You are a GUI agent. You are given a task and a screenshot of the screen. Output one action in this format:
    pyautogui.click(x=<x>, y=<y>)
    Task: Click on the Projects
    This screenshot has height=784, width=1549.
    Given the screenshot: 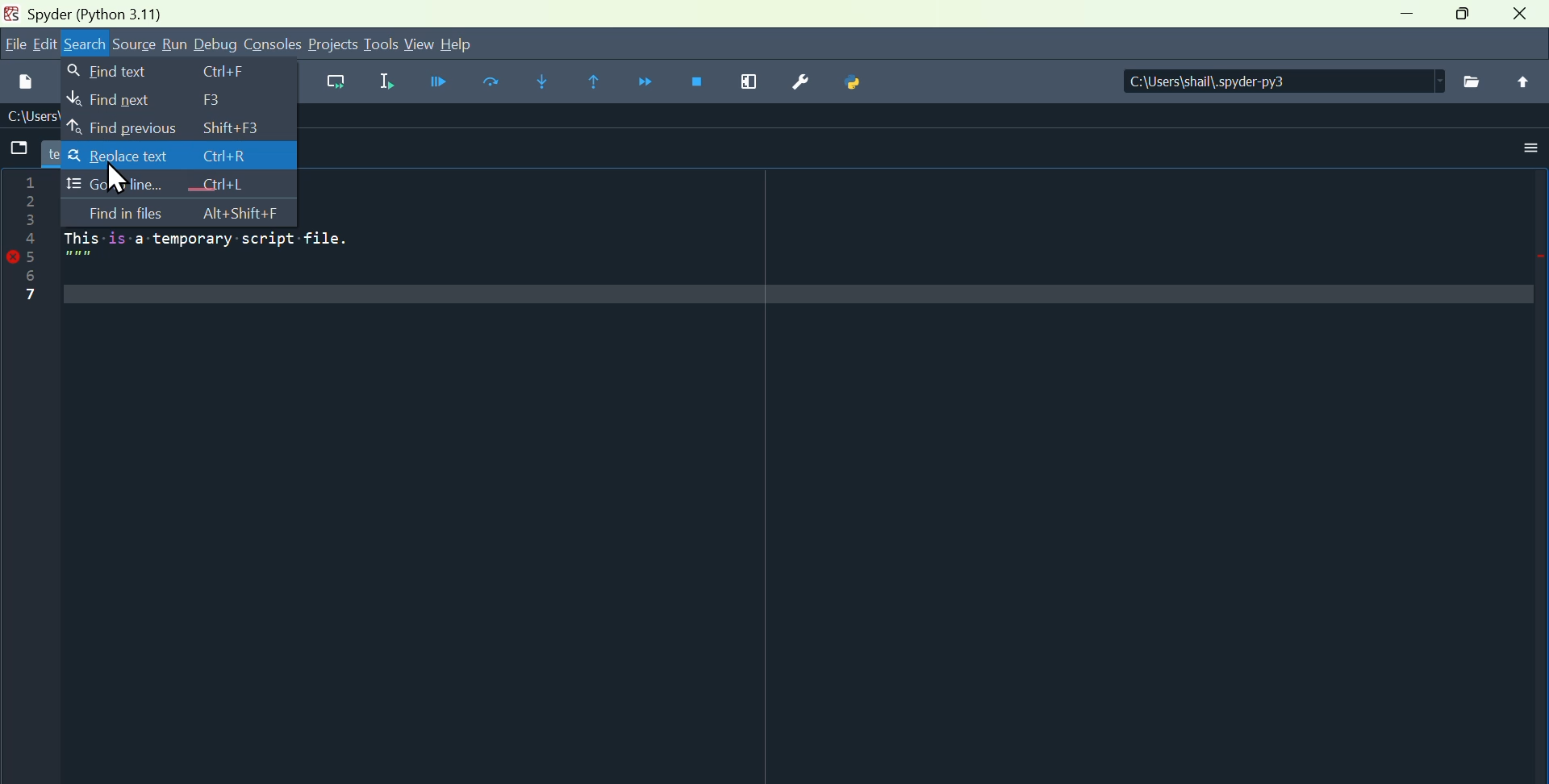 What is the action you would take?
    pyautogui.click(x=333, y=45)
    